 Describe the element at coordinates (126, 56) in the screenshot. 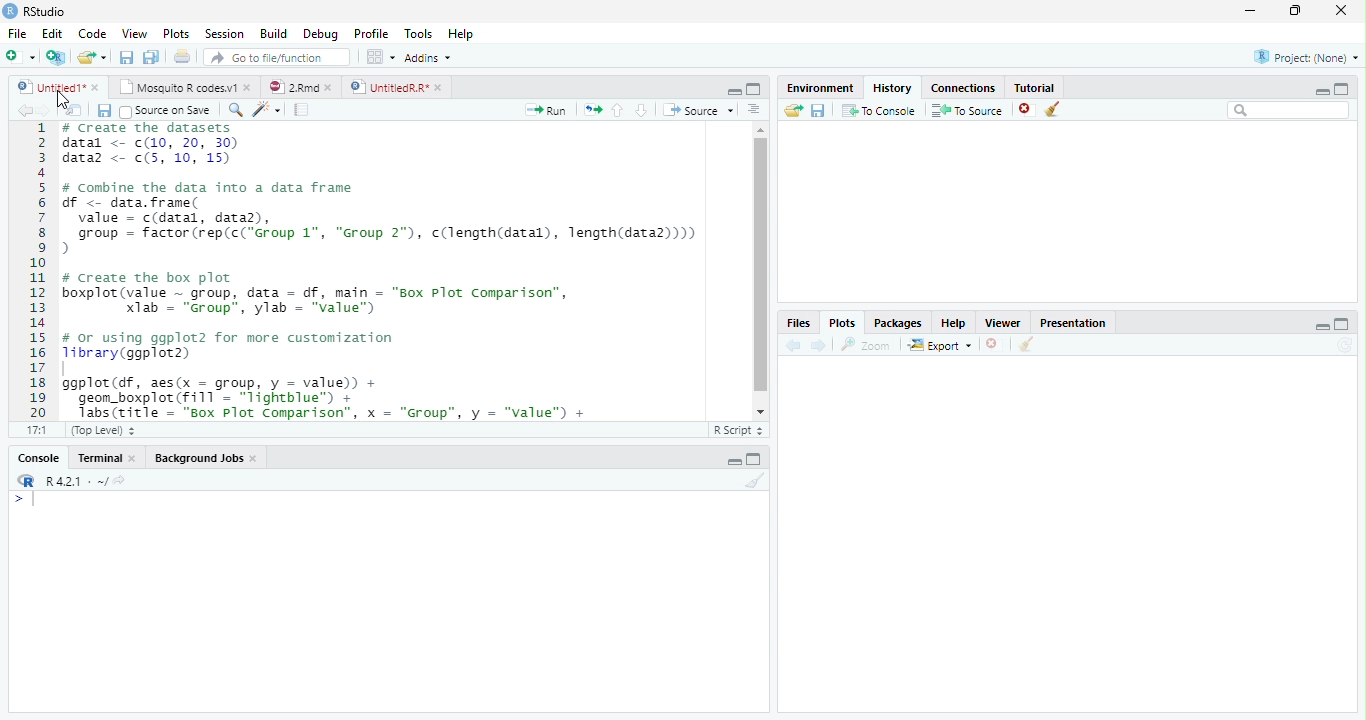

I see `Save current document` at that location.